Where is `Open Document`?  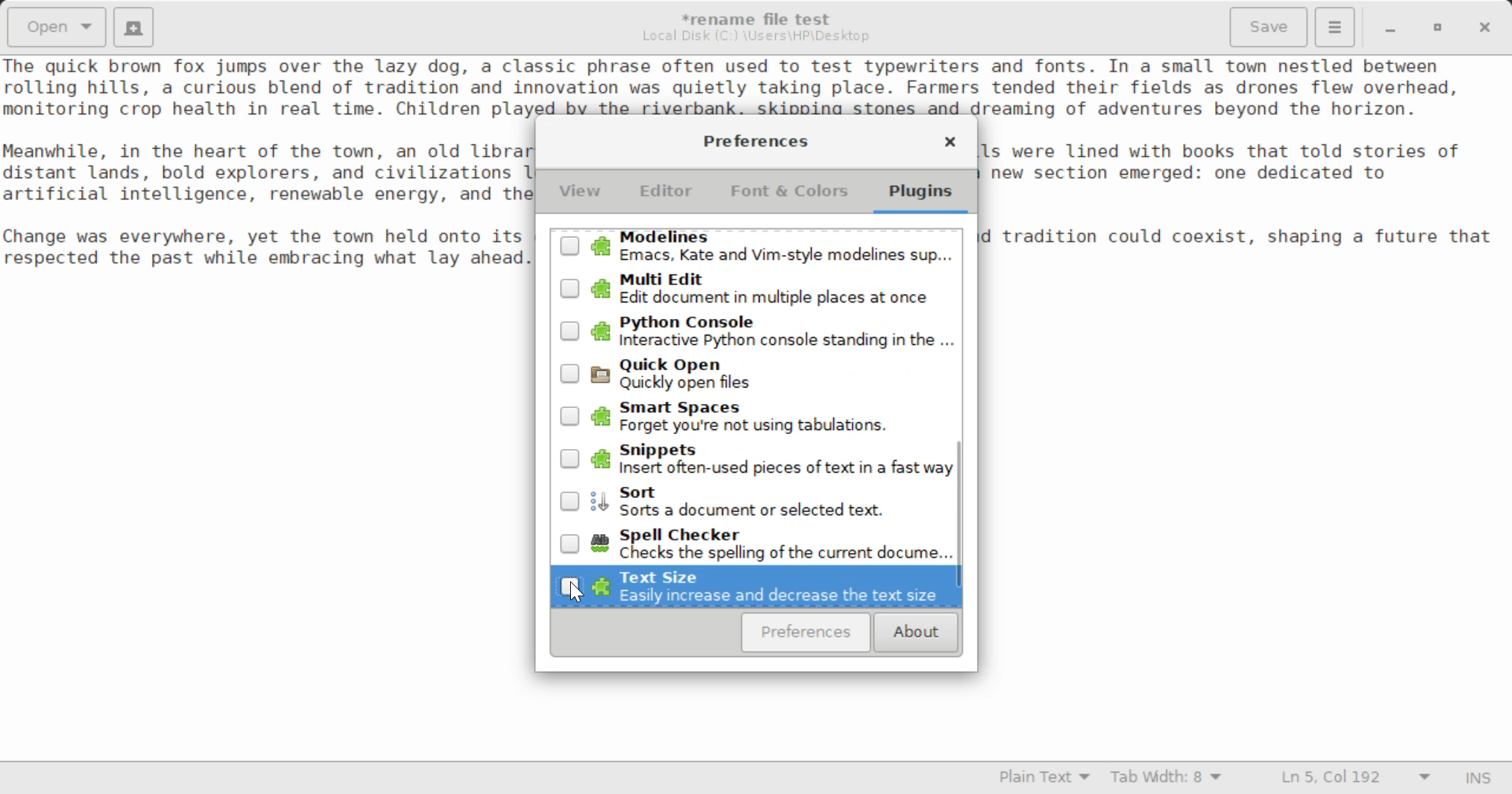 Open Document is located at coordinates (57, 25).